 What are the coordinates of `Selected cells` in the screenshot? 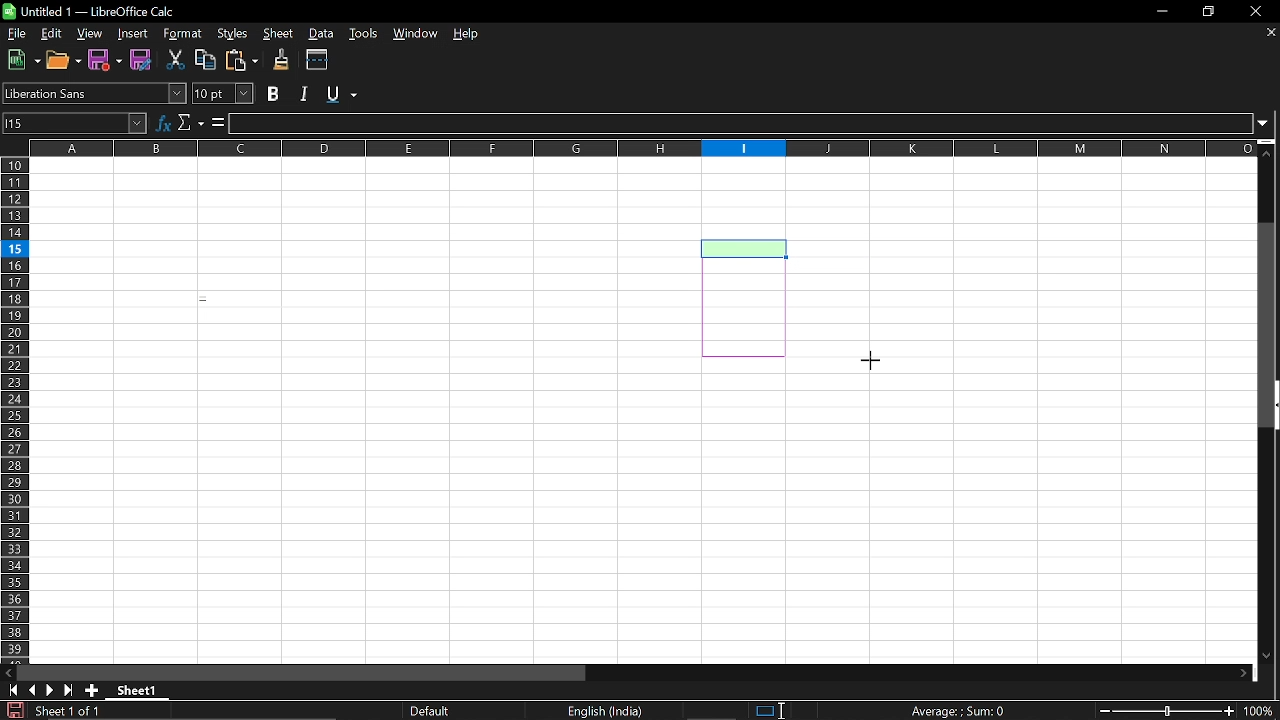 It's located at (745, 297).